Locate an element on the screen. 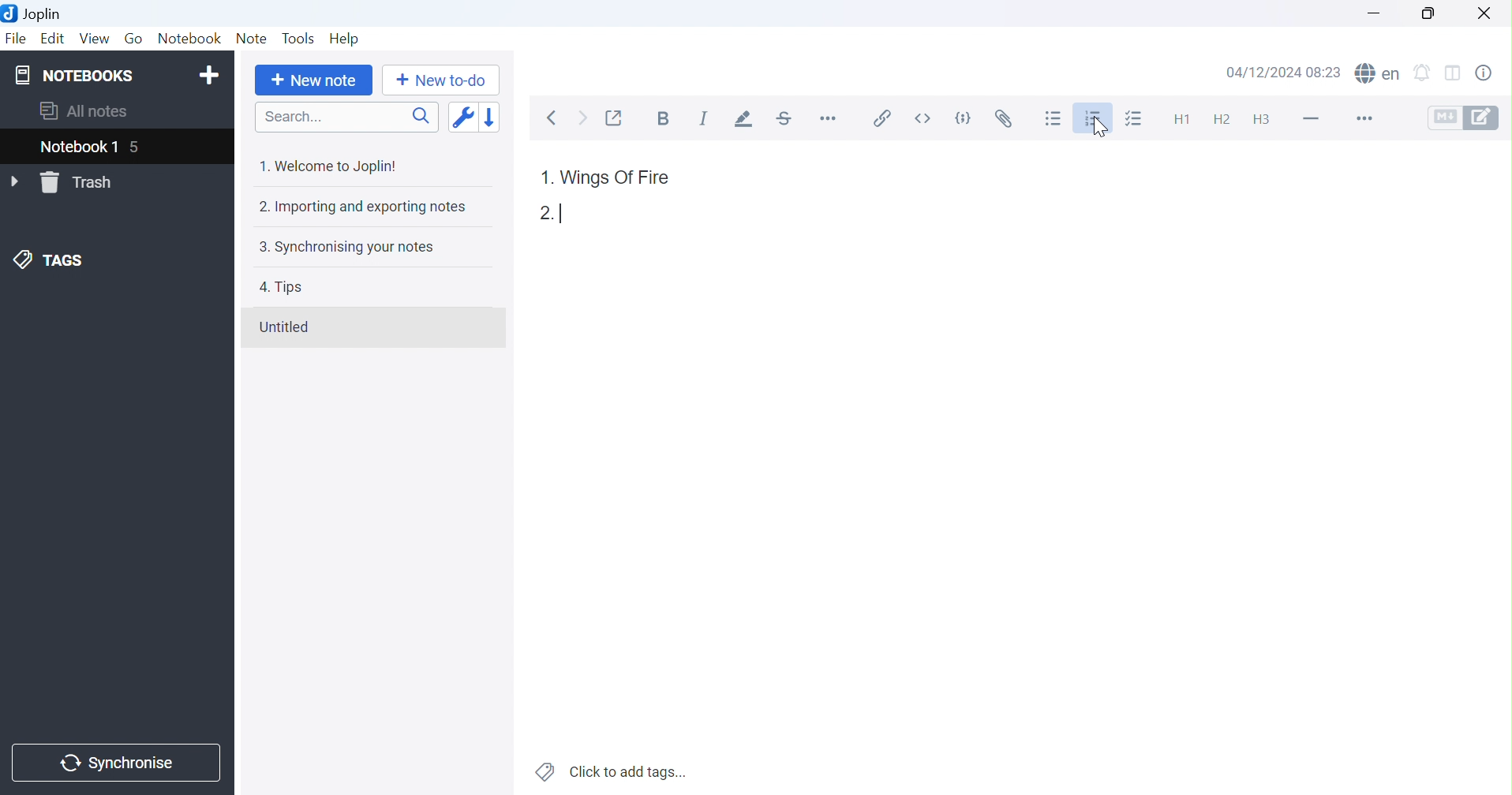 This screenshot has width=1512, height=795. New note is located at coordinates (314, 81).